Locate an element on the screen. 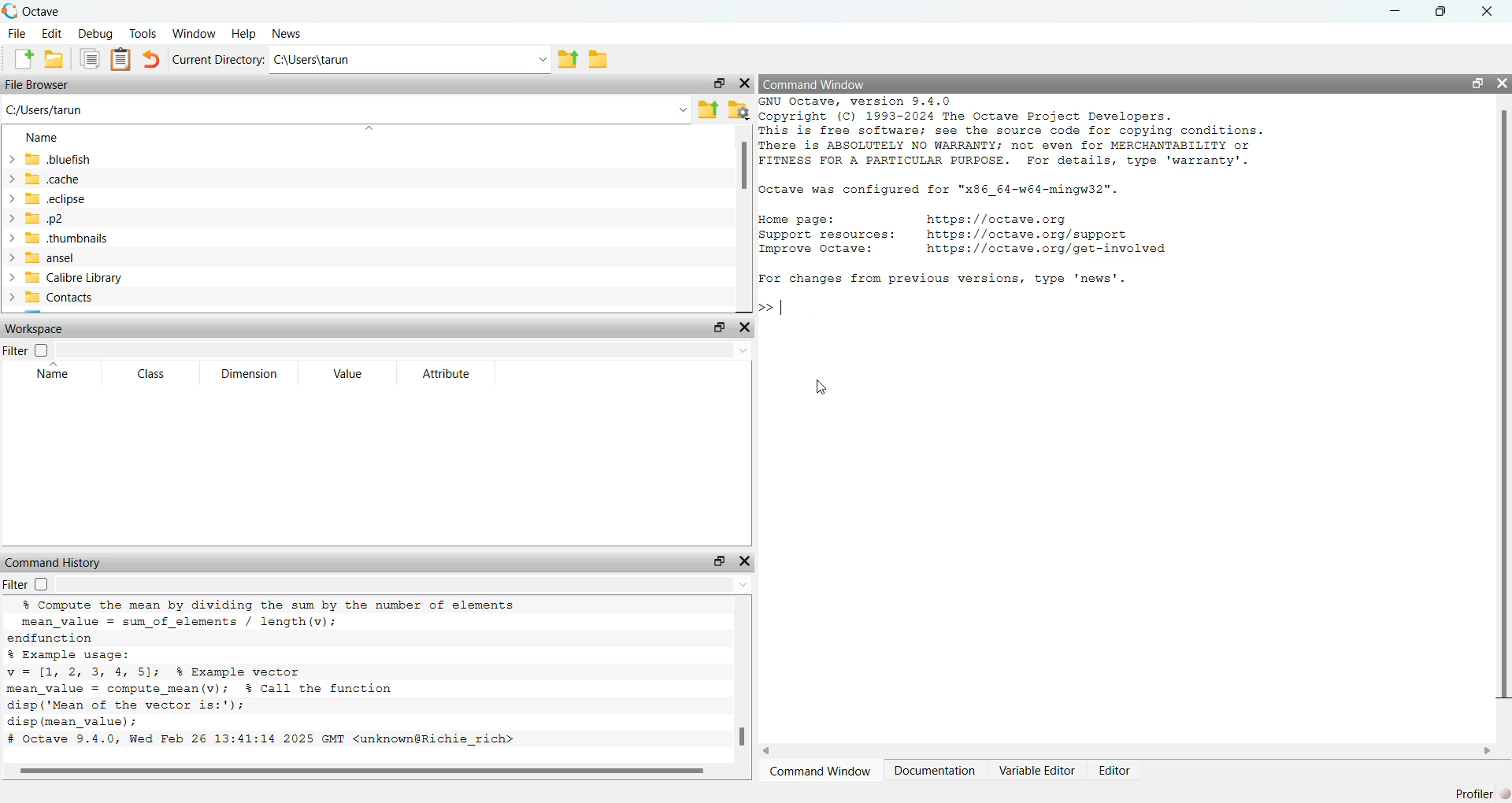 The image size is (1512, 803). add folder is located at coordinates (54, 58).